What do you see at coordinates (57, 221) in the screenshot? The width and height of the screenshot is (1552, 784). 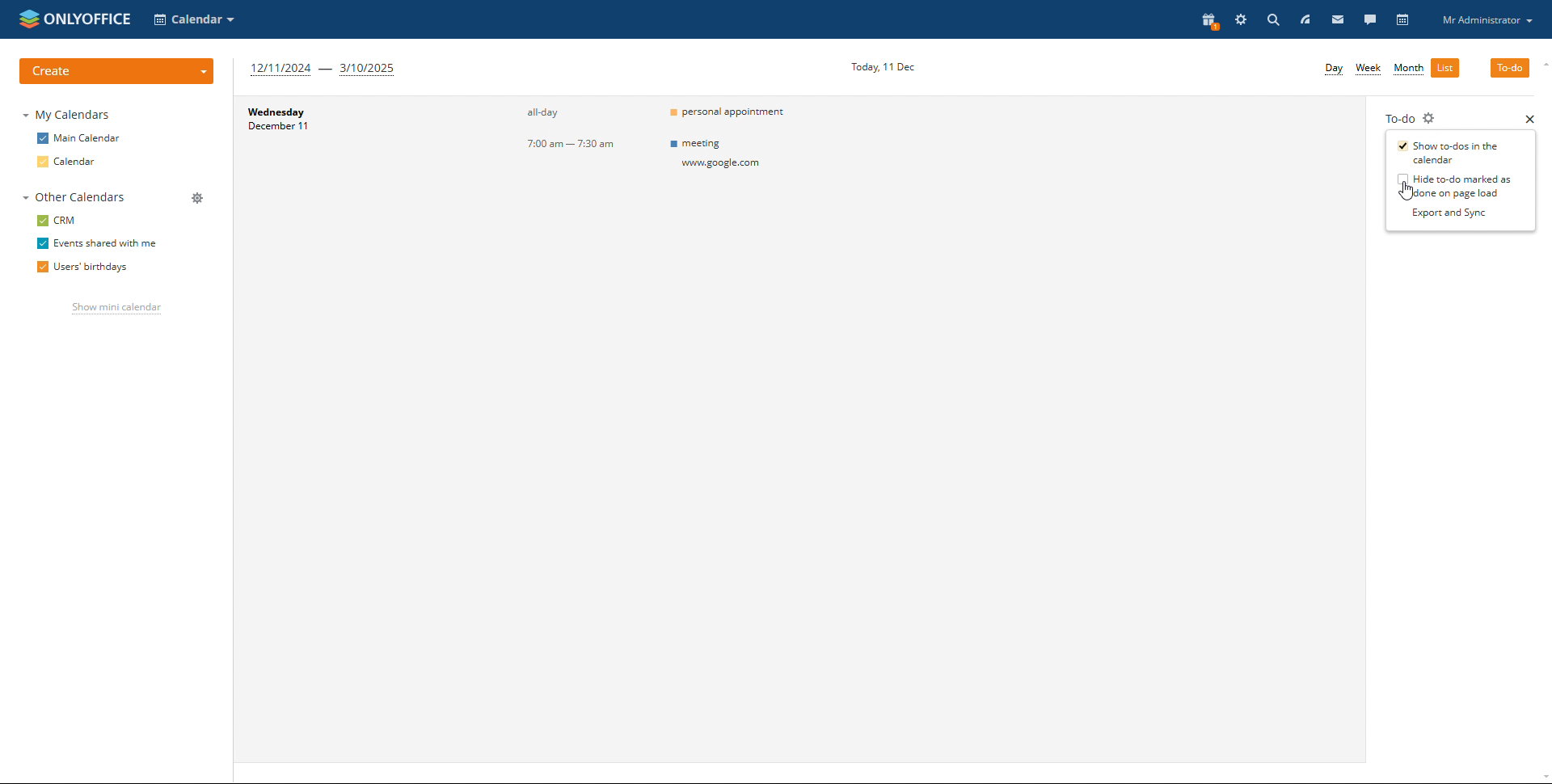 I see `crm` at bounding box center [57, 221].